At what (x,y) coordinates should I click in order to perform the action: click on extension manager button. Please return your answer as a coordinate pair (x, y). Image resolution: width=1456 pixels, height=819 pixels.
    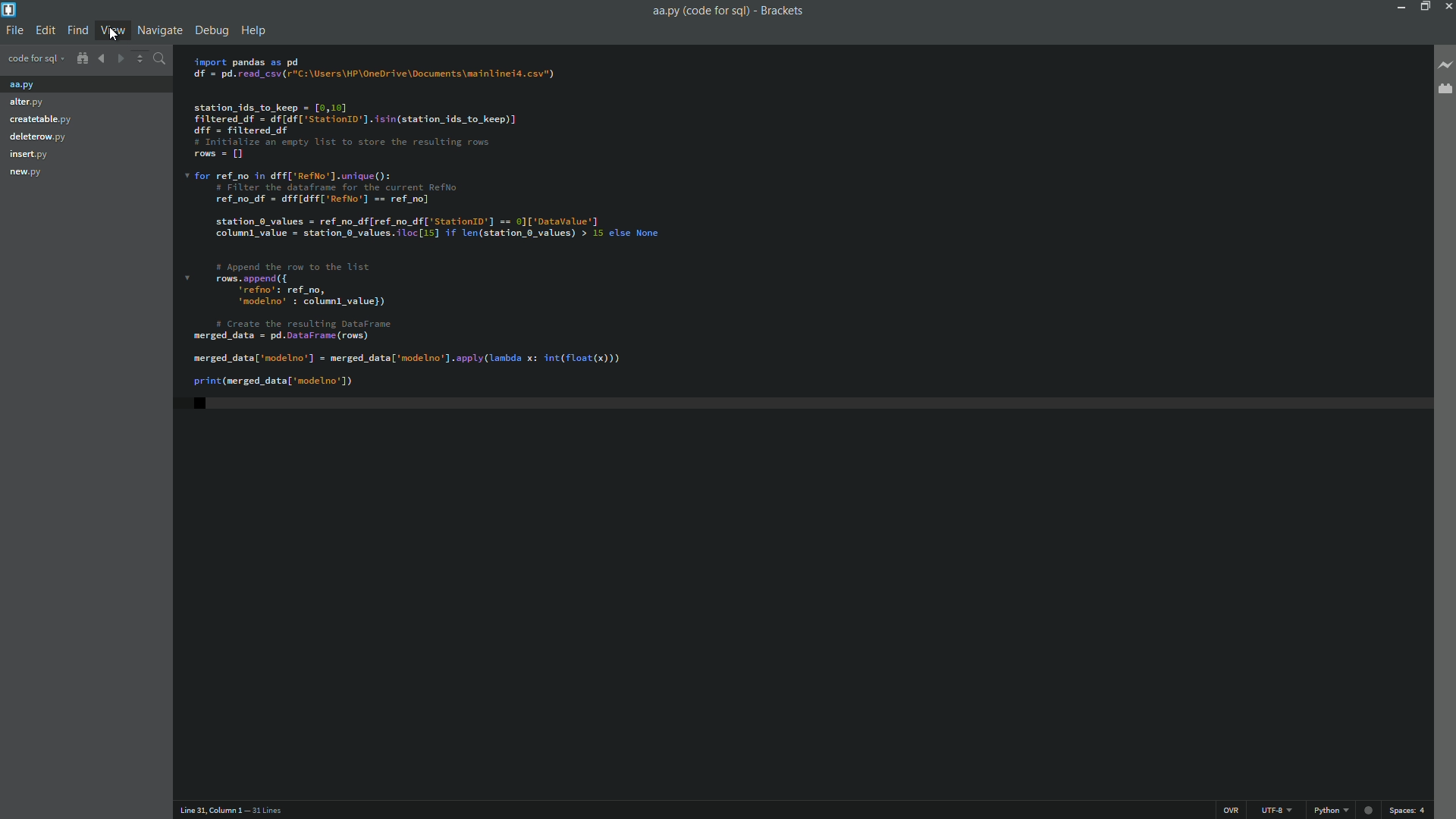
    Looking at the image, I should click on (1446, 90).